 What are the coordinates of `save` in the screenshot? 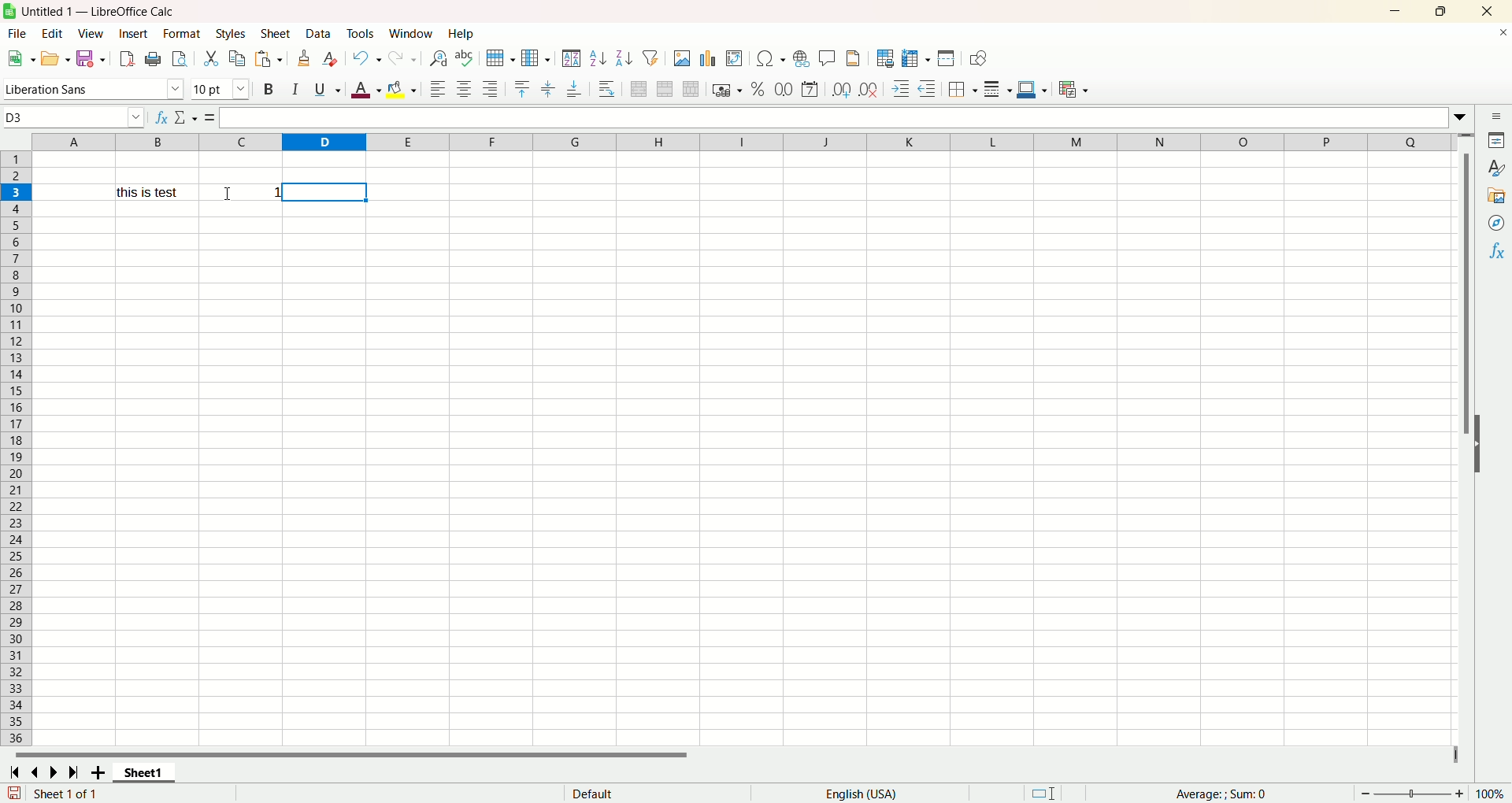 It's located at (91, 59).